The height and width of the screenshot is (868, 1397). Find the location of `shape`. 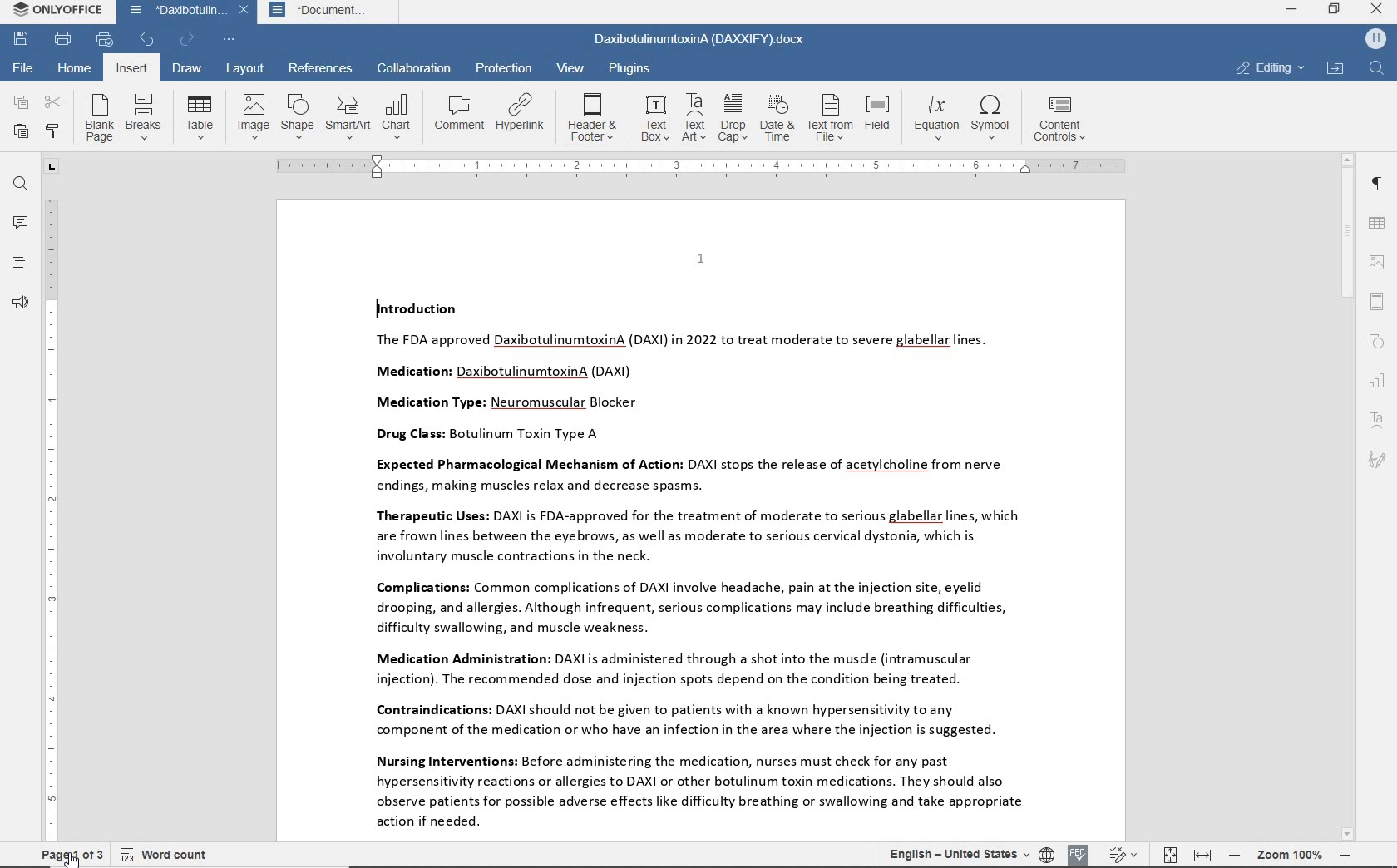

shape is located at coordinates (296, 116).